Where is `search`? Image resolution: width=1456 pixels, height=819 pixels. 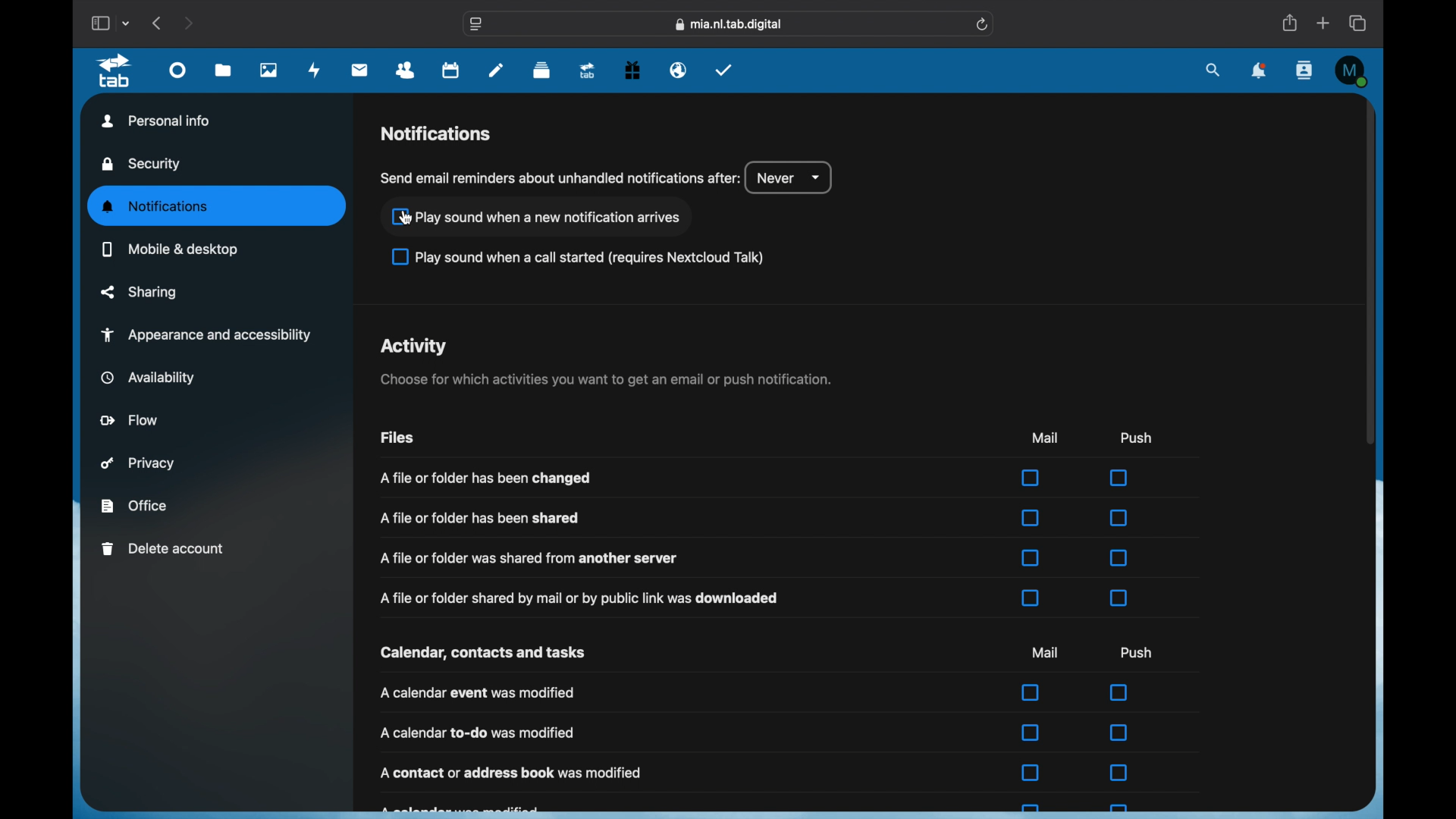 search is located at coordinates (1214, 69).